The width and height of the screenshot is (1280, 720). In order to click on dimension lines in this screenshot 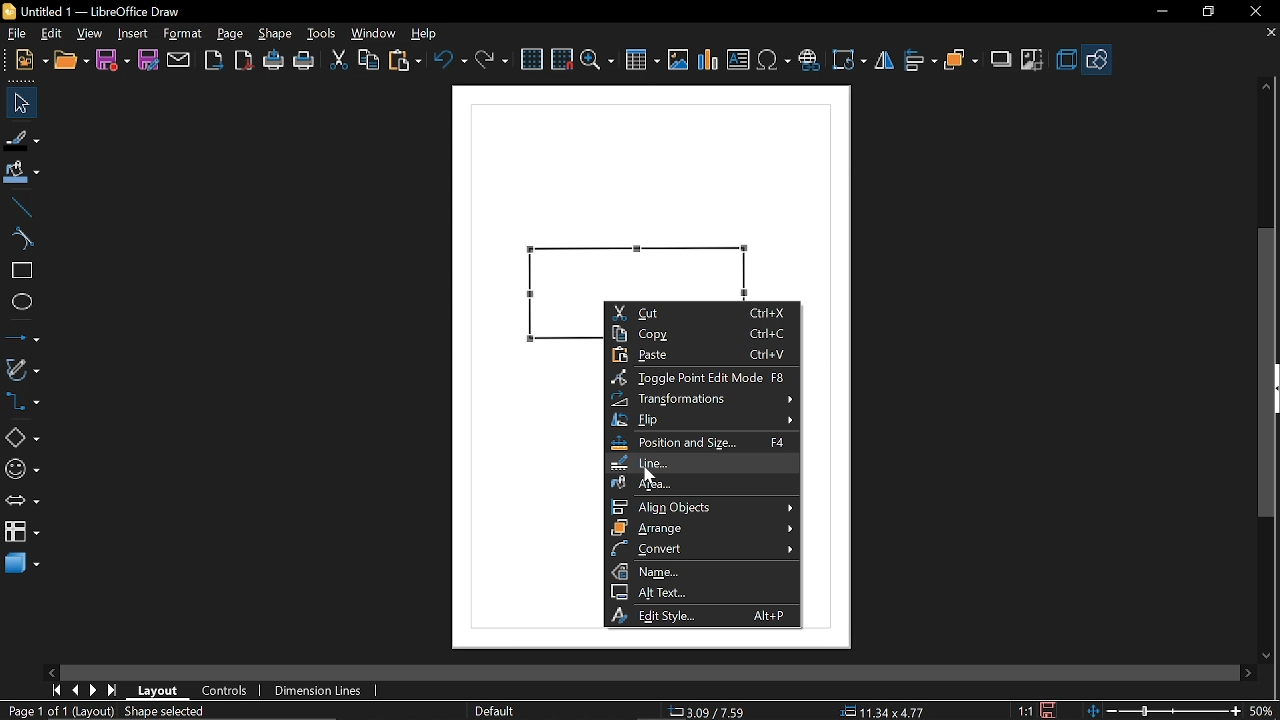, I will do `click(320, 691)`.